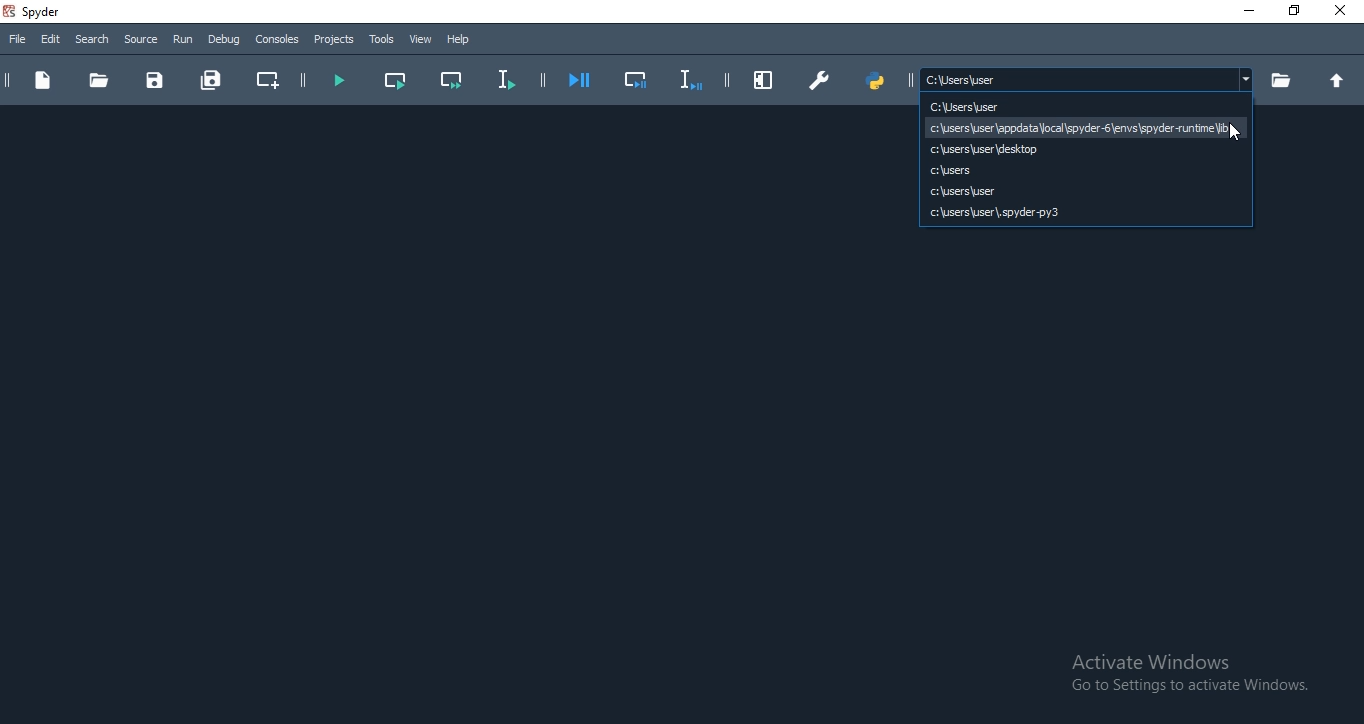 The image size is (1364, 724). Describe the element at coordinates (338, 81) in the screenshot. I see `run file` at that location.